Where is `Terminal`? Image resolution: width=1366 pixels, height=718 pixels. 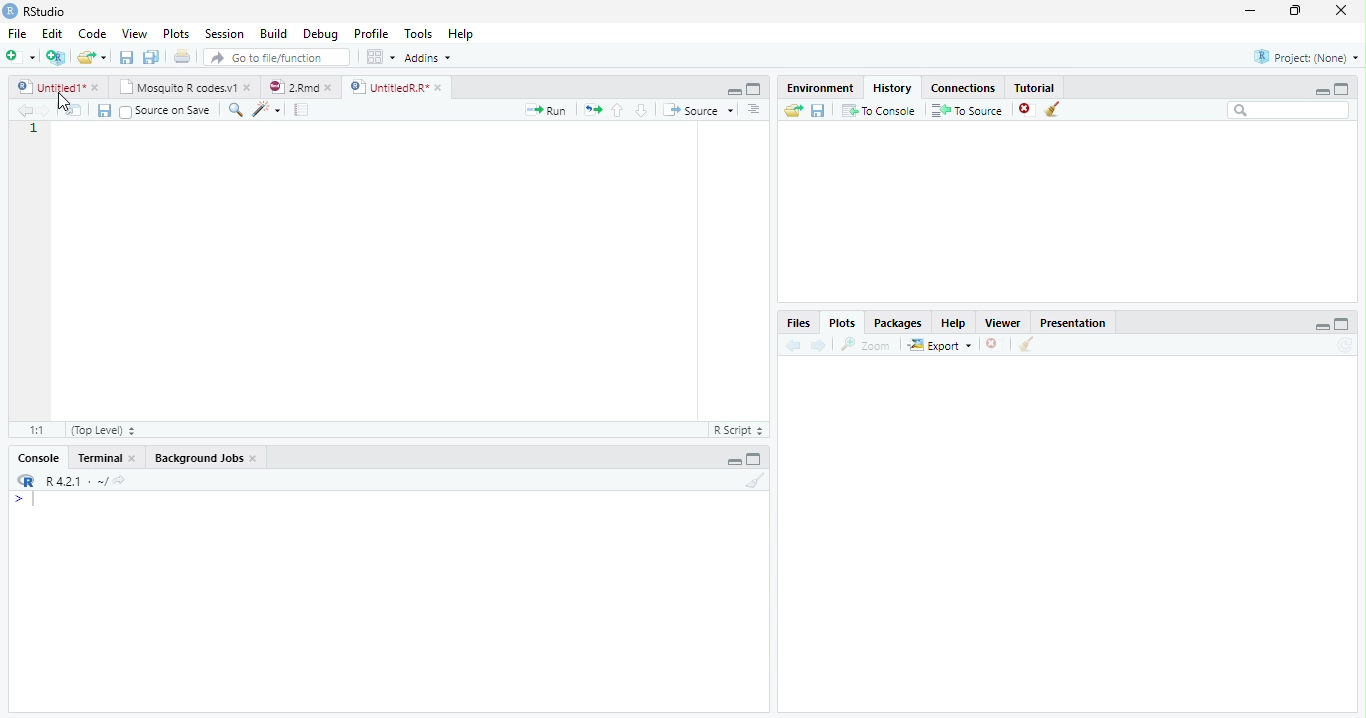
Terminal is located at coordinates (99, 458).